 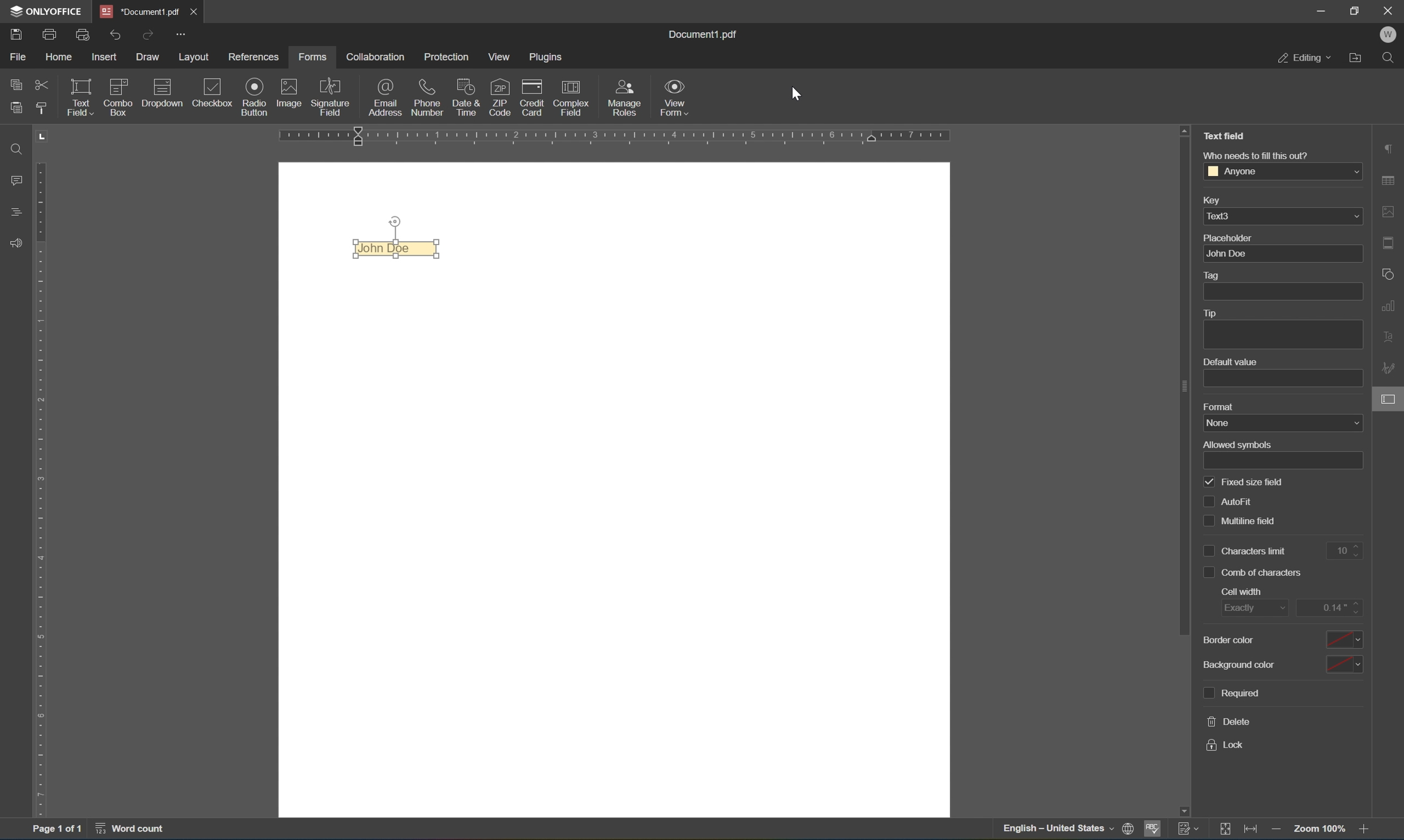 I want to click on default value, so click(x=1231, y=362).